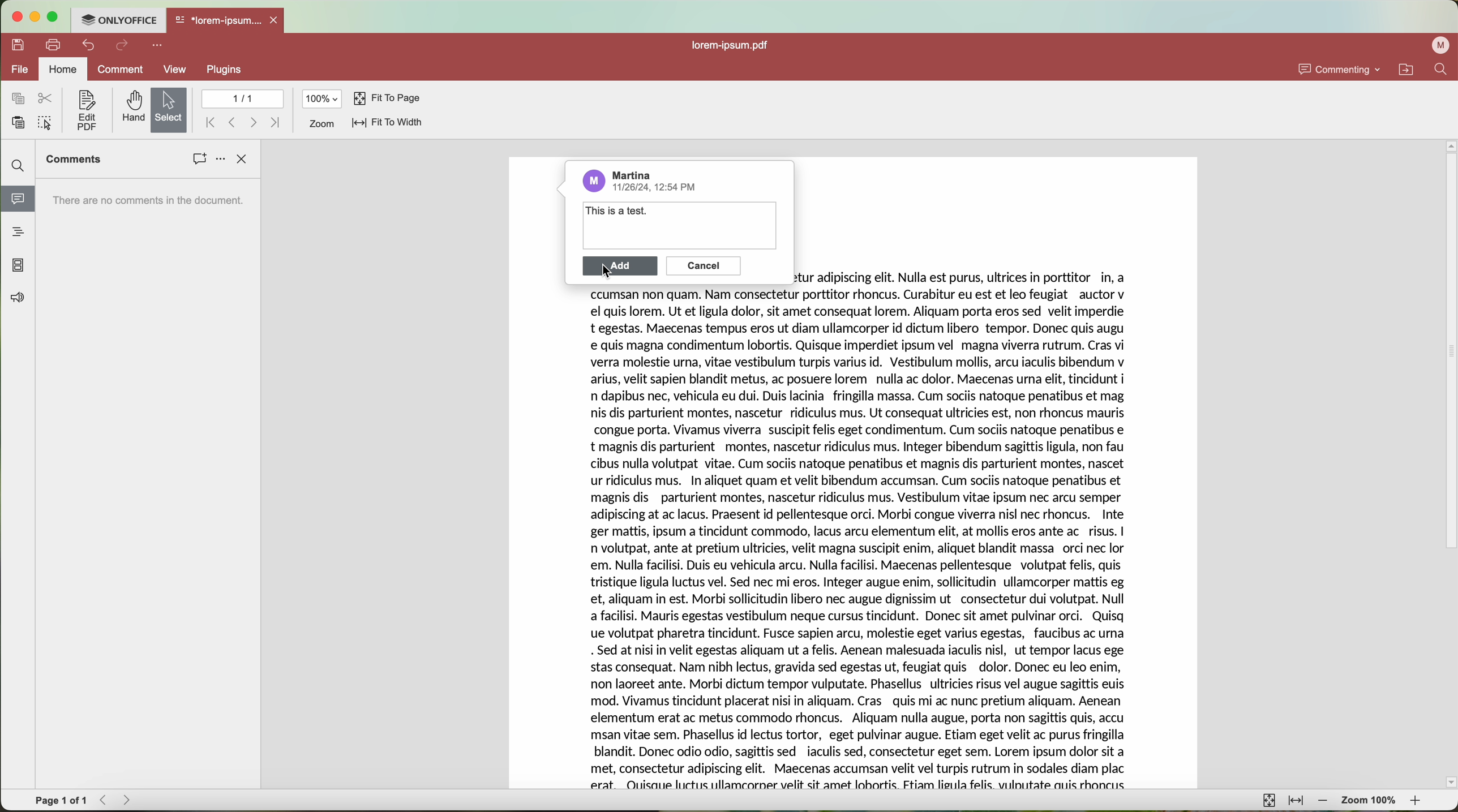 This screenshot has width=1458, height=812. What do you see at coordinates (53, 18) in the screenshot?
I see `maximize` at bounding box center [53, 18].